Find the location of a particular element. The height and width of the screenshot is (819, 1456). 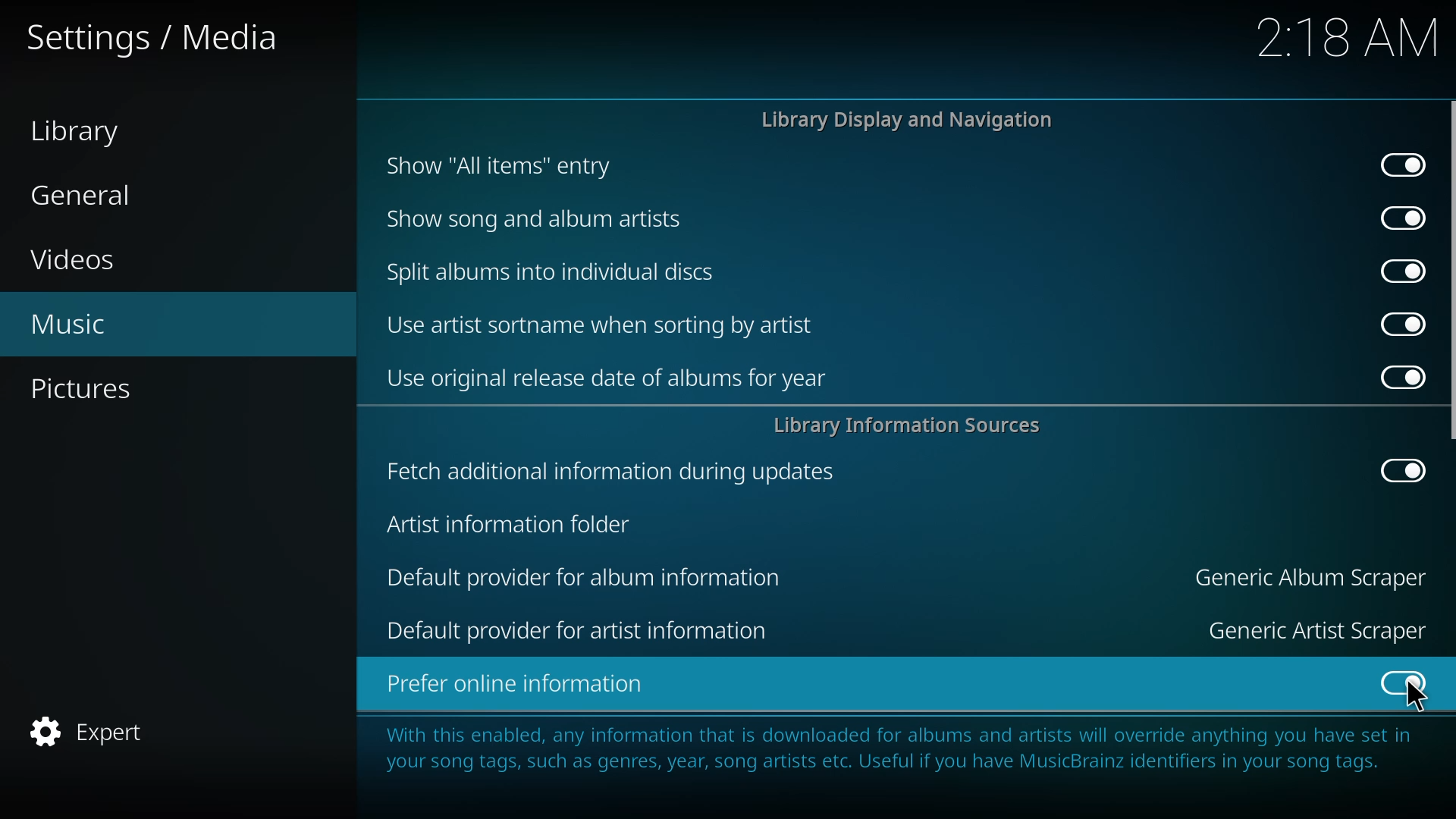

library display and navigation is located at coordinates (906, 120).